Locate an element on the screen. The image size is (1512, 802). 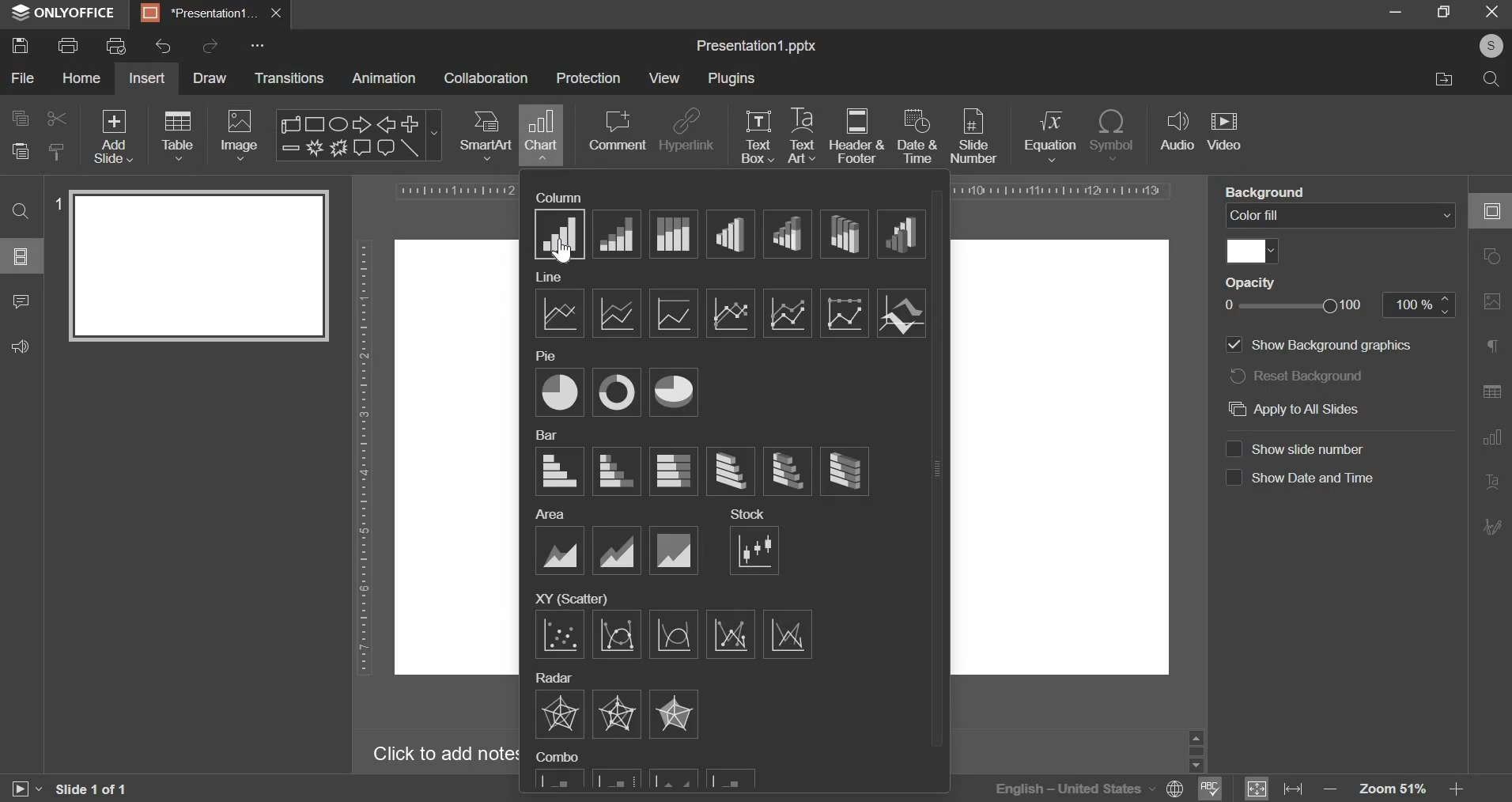
fit to window is located at coordinates (1257, 786).